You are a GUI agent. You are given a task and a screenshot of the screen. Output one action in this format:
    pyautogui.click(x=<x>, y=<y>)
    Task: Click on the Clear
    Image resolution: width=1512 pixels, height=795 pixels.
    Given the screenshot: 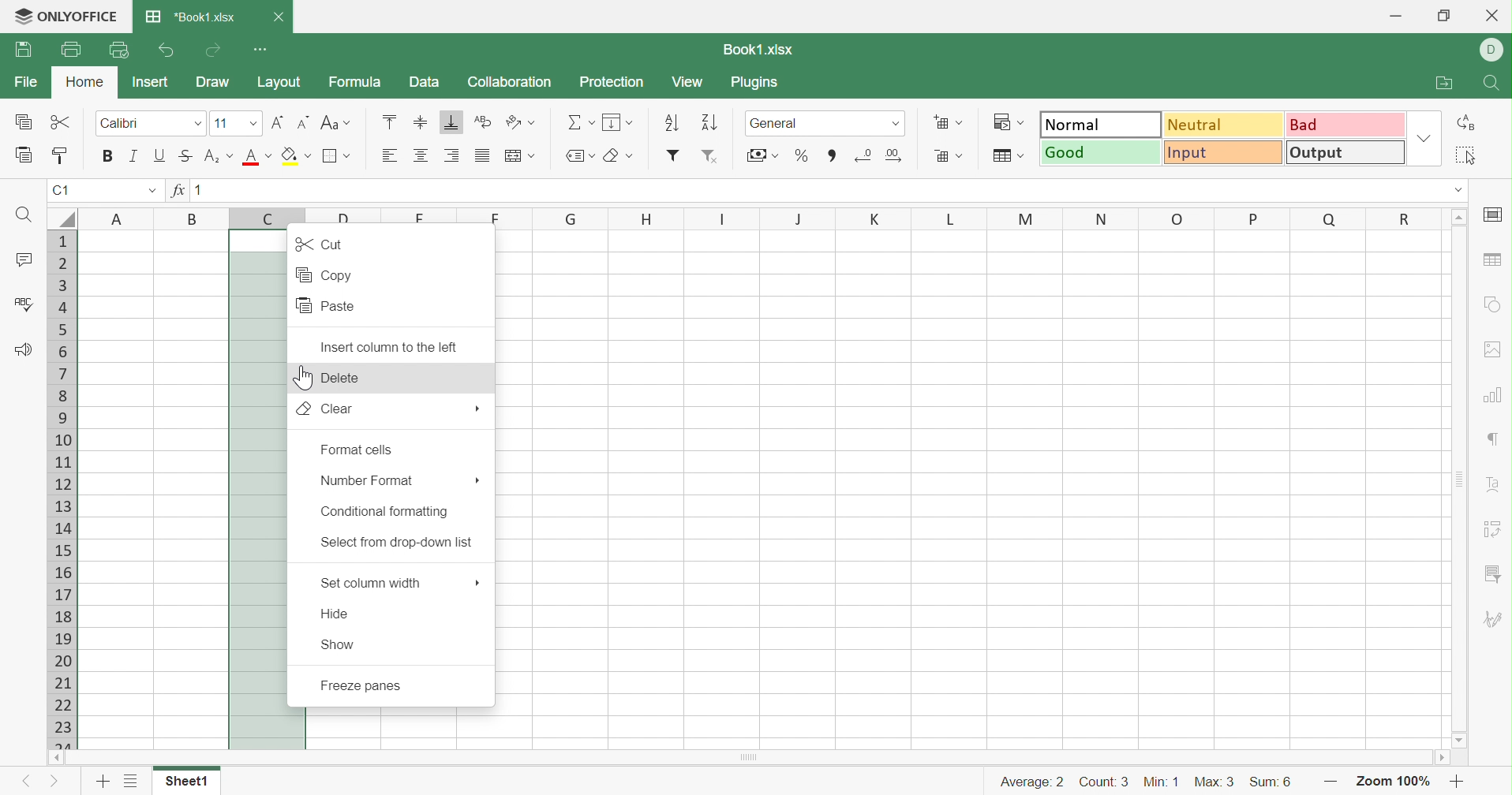 What is the action you would take?
    pyautogui.click(x=328, y=409)
    